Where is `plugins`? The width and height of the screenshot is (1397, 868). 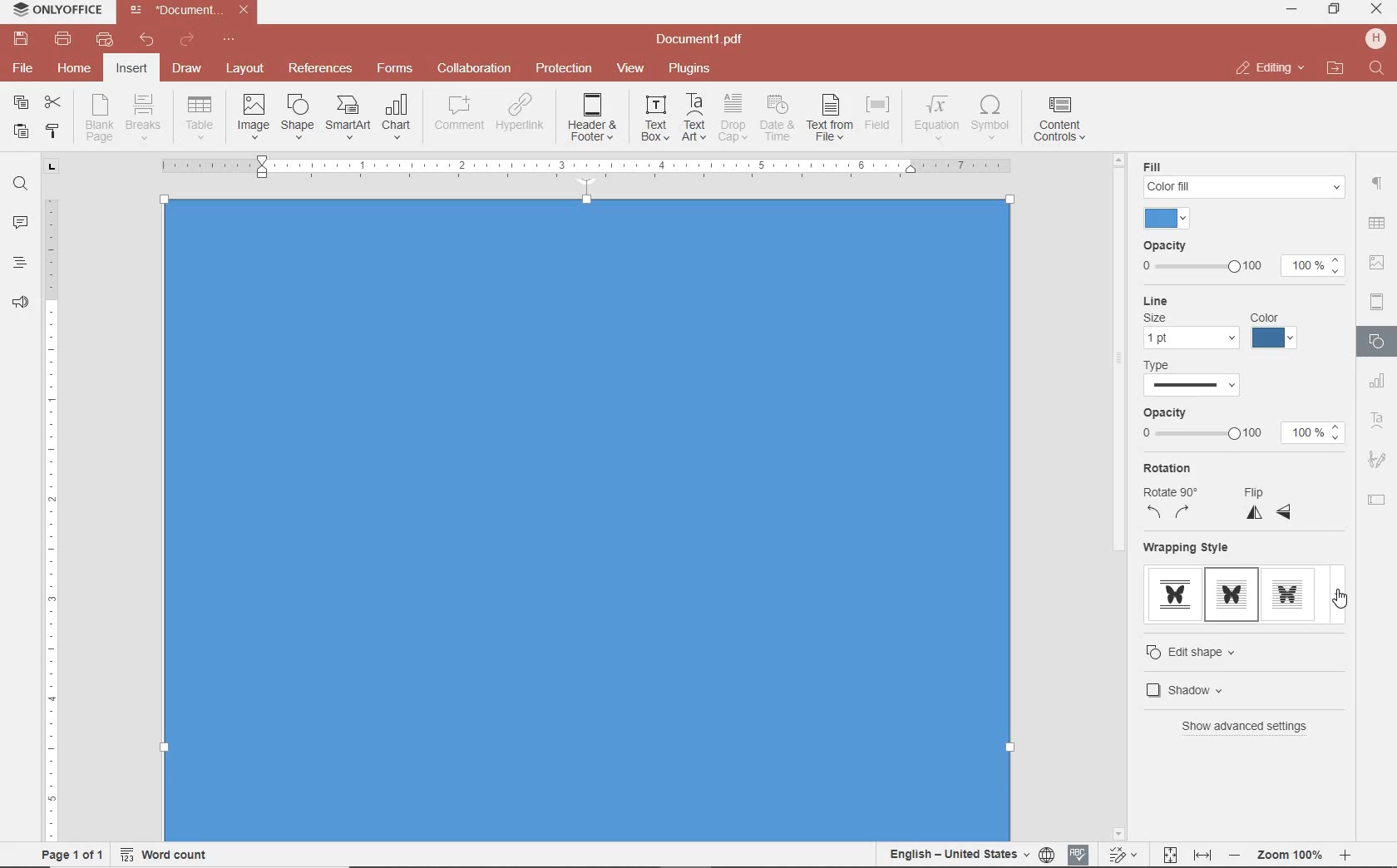
plugins is located at coordinates (693, 69).